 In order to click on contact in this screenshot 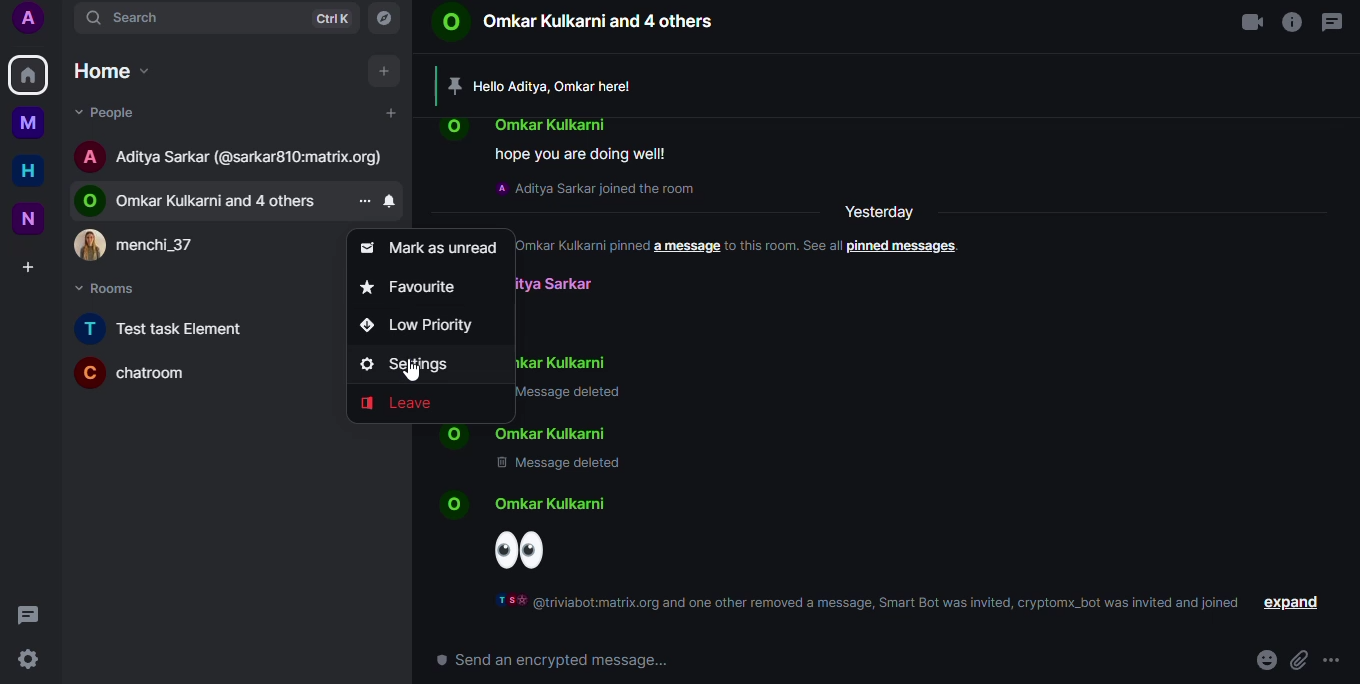, I will do `click(152, 243)`.